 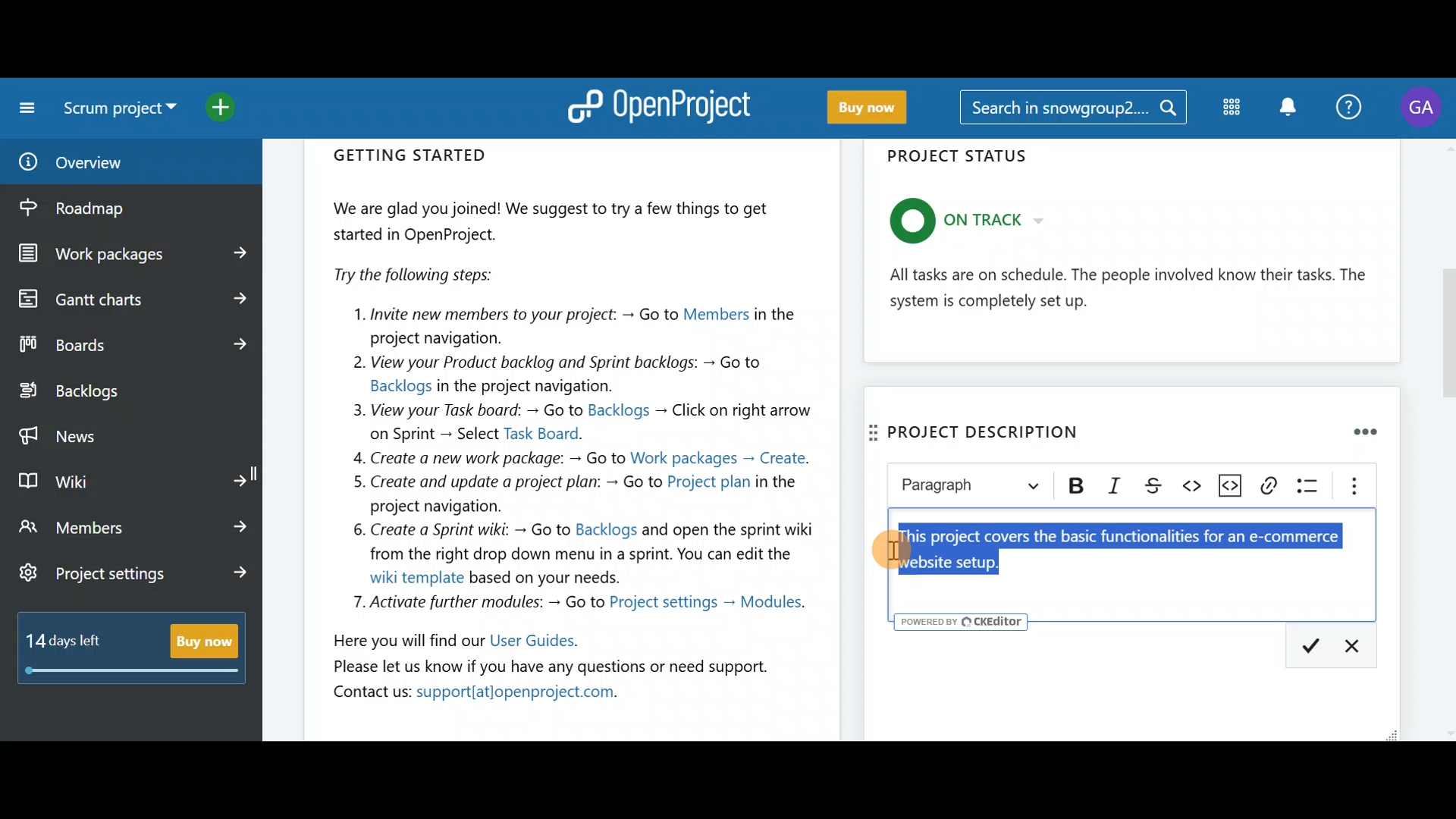 I want to click on Project status, so click(x=1134, y=256).